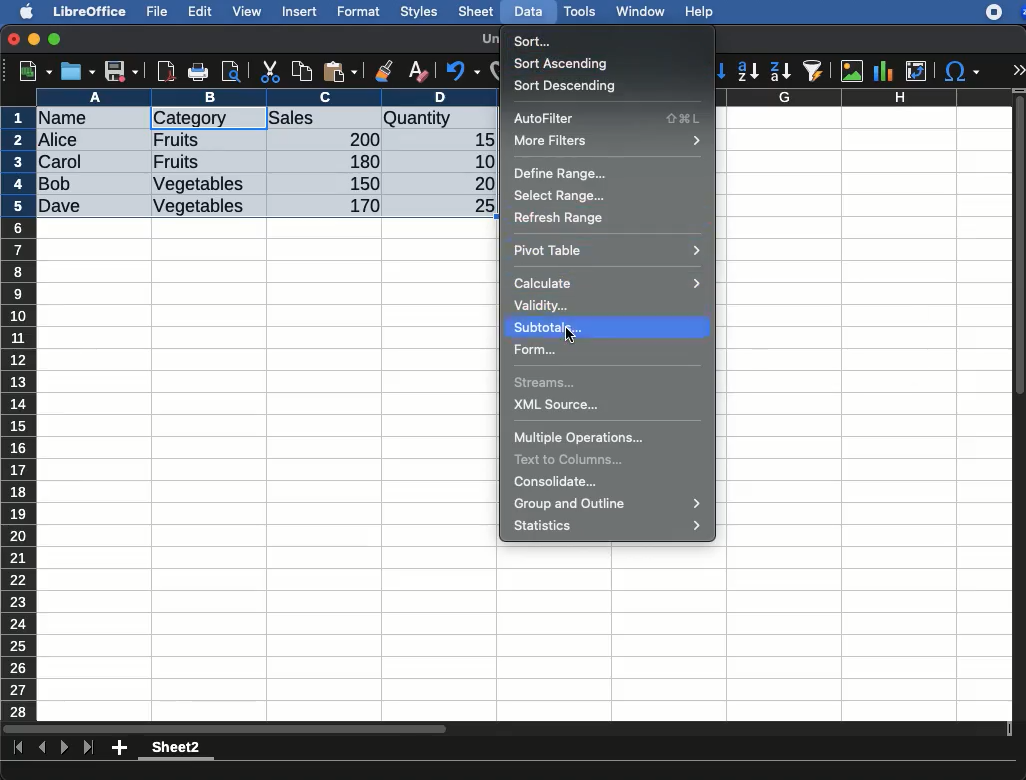 The height and width of the screenshot is (780, 1026). Describe the element at coordinates (560, 193) in the screenshot. I see `select range` at that location.